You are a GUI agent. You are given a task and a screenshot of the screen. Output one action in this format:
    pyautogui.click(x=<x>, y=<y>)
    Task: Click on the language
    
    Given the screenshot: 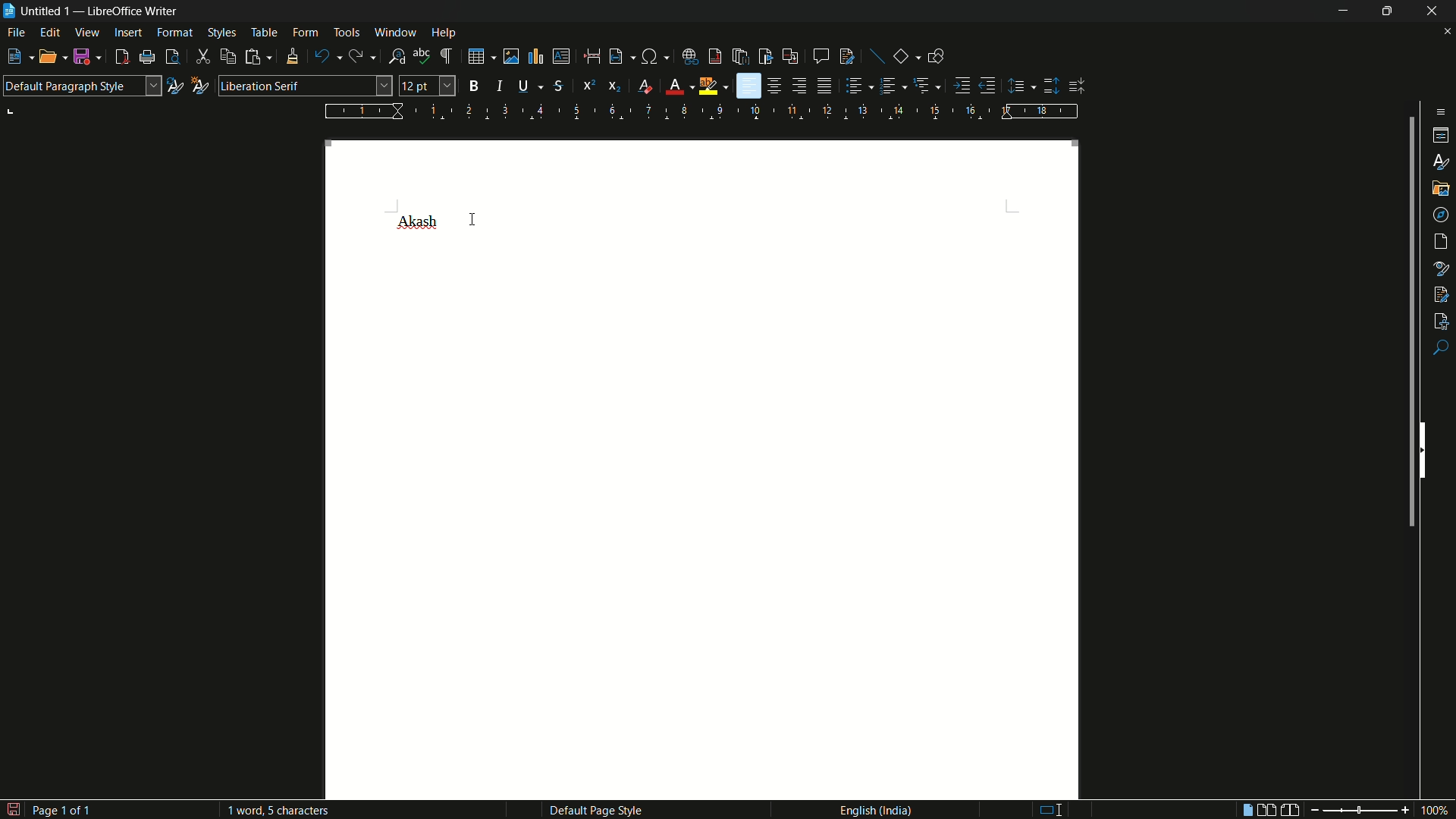 What is the action you would take?
    pyautogui.click(x=874, y=809)
    